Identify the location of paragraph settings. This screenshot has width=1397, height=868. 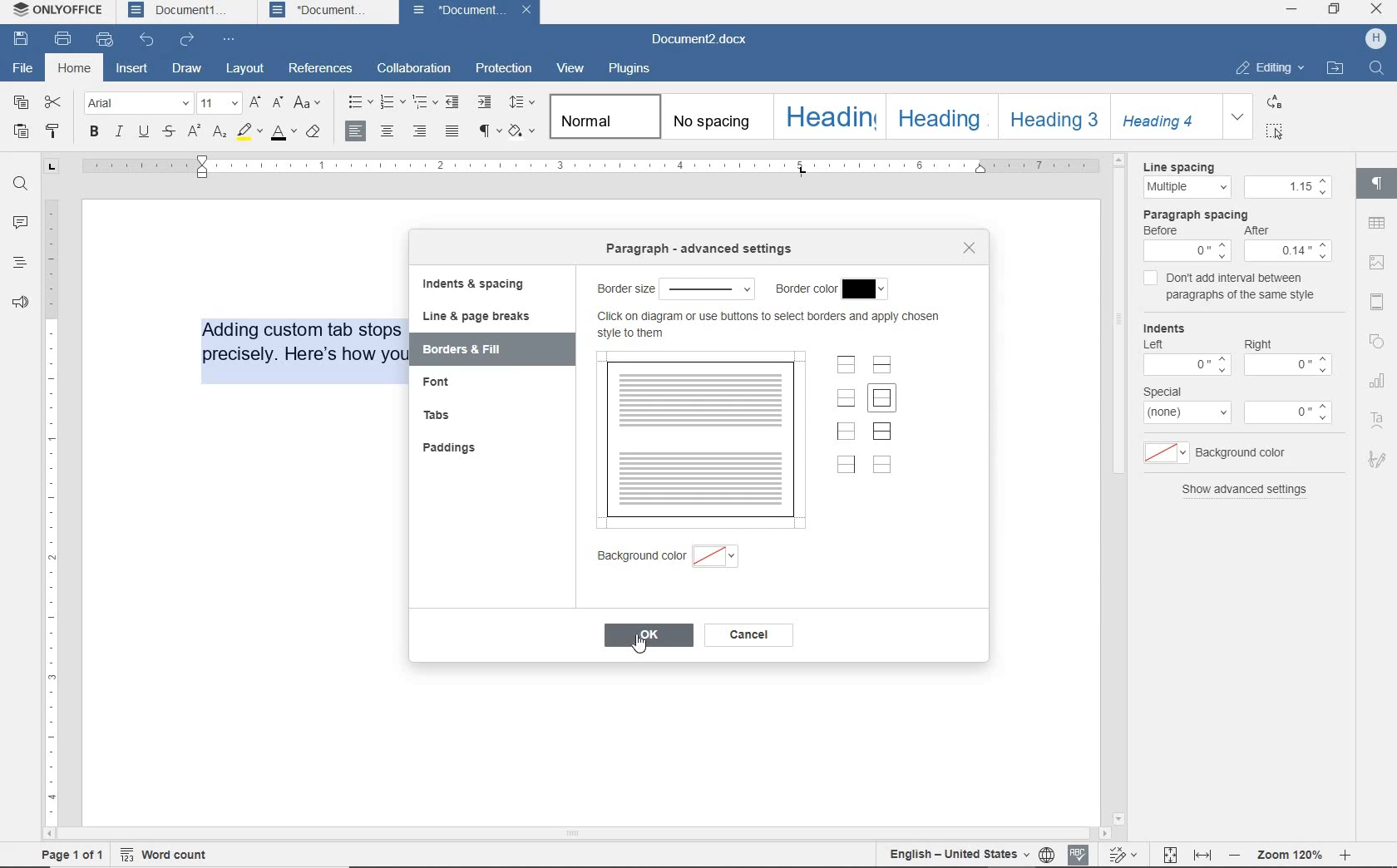
(1378, 183).